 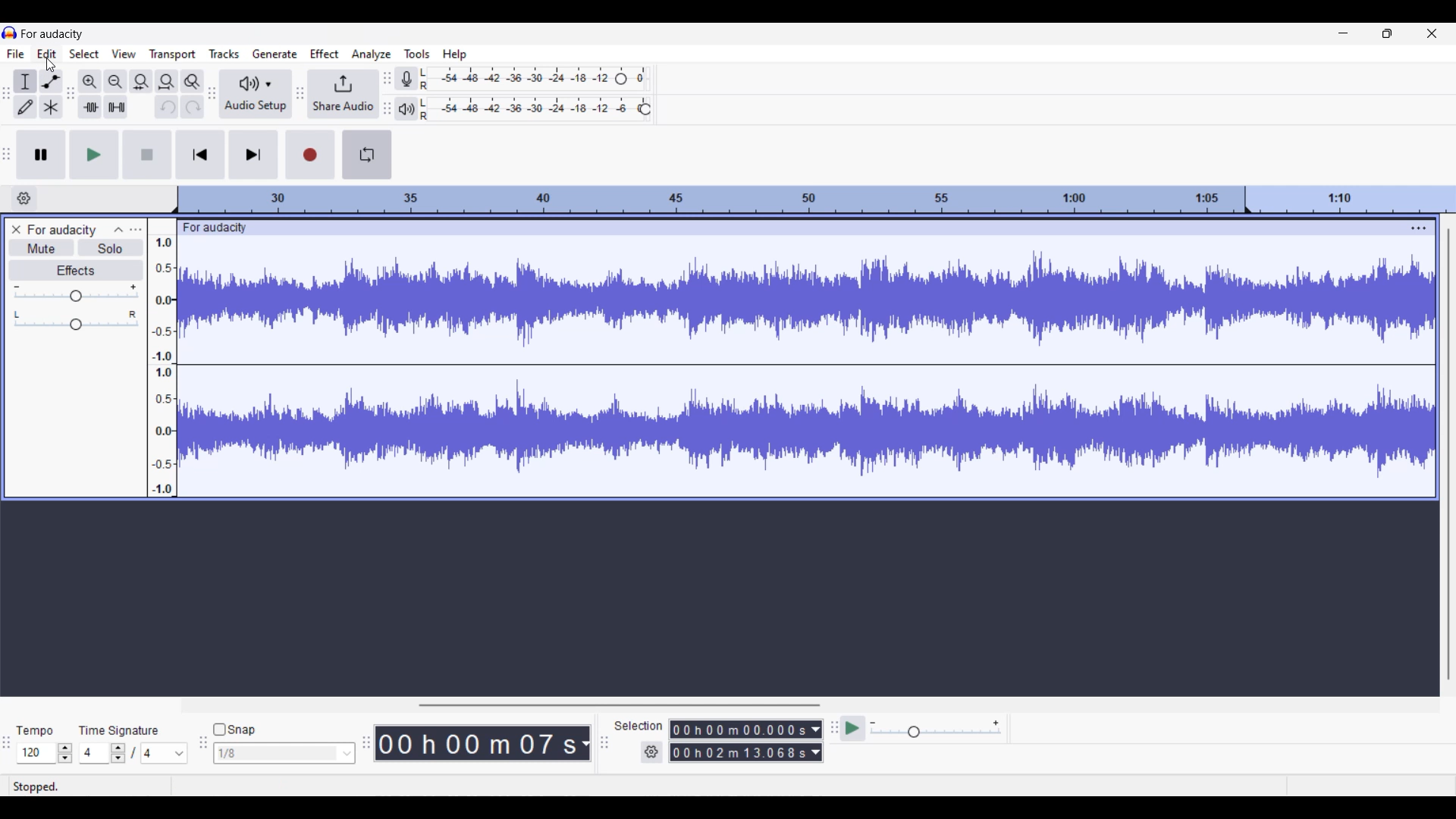 I want to click on Open menu, so click(x=136, y=231).